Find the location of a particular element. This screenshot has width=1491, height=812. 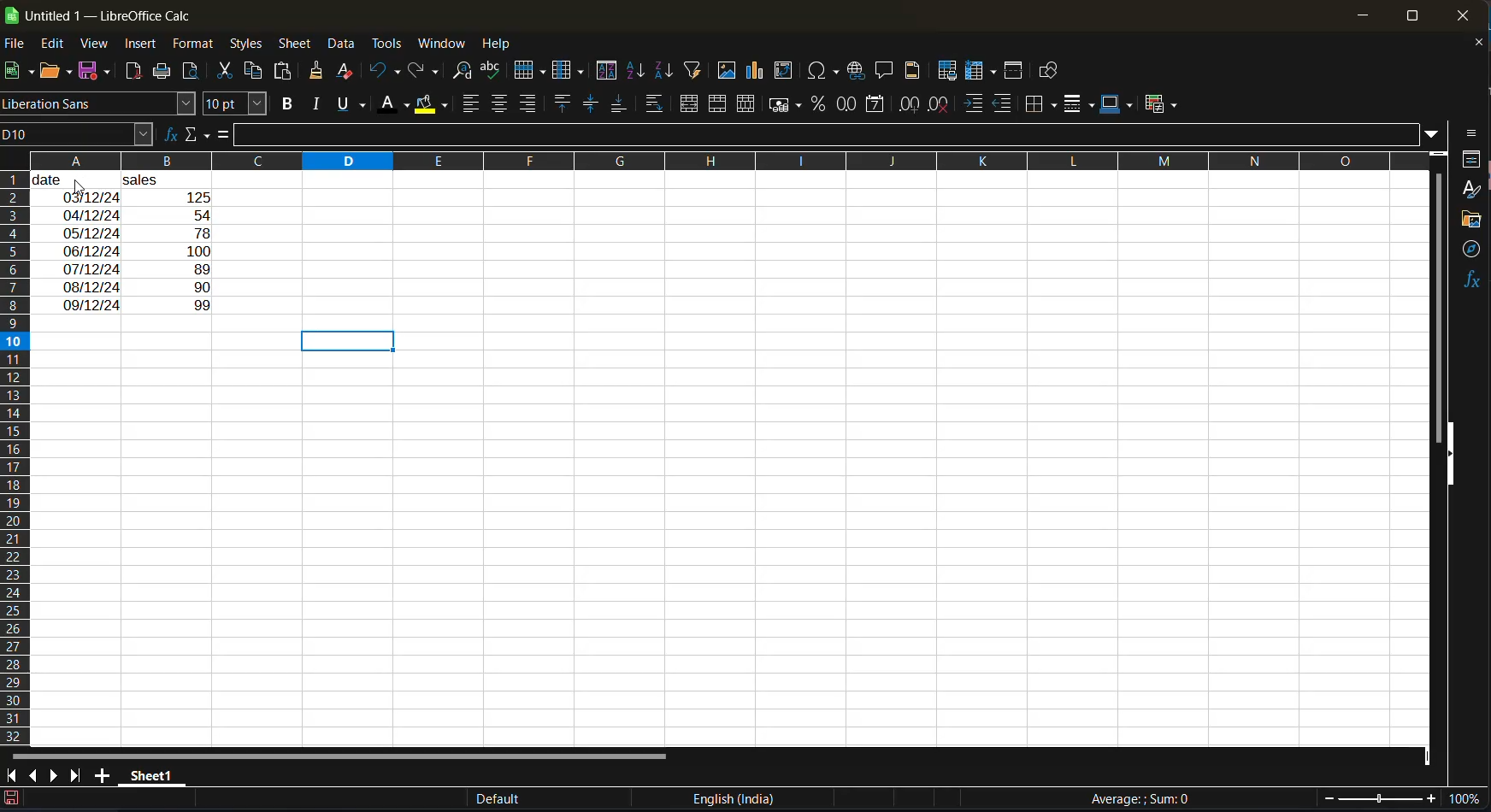

headers and footers is located at coordinates (916, 71).